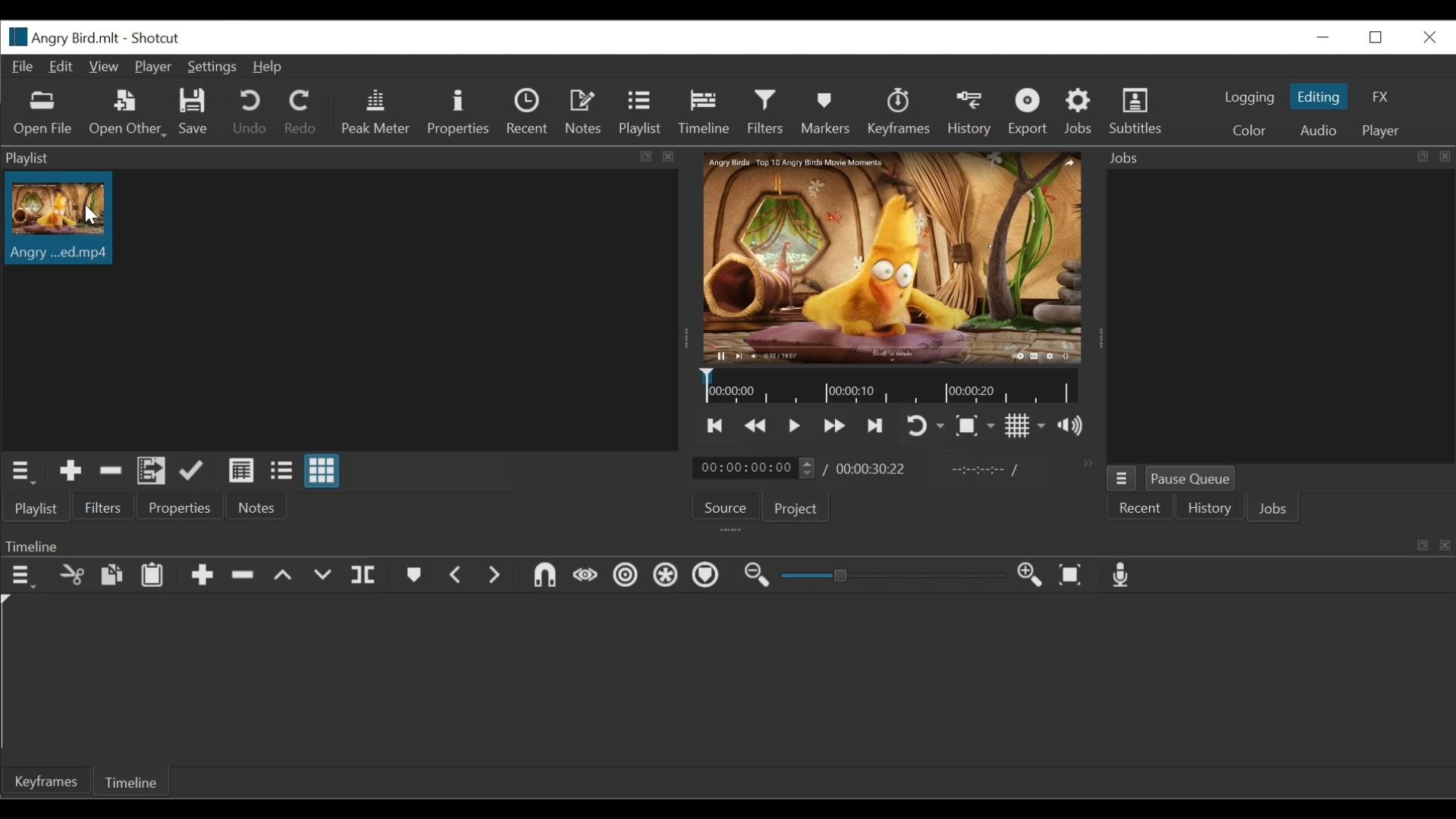 Image resolution: width=1456 pixels, height=819 pixels. What do you see at coordinates (585, 112) in the screenshot?
I see `Notes` at bounding box center [585, 112].